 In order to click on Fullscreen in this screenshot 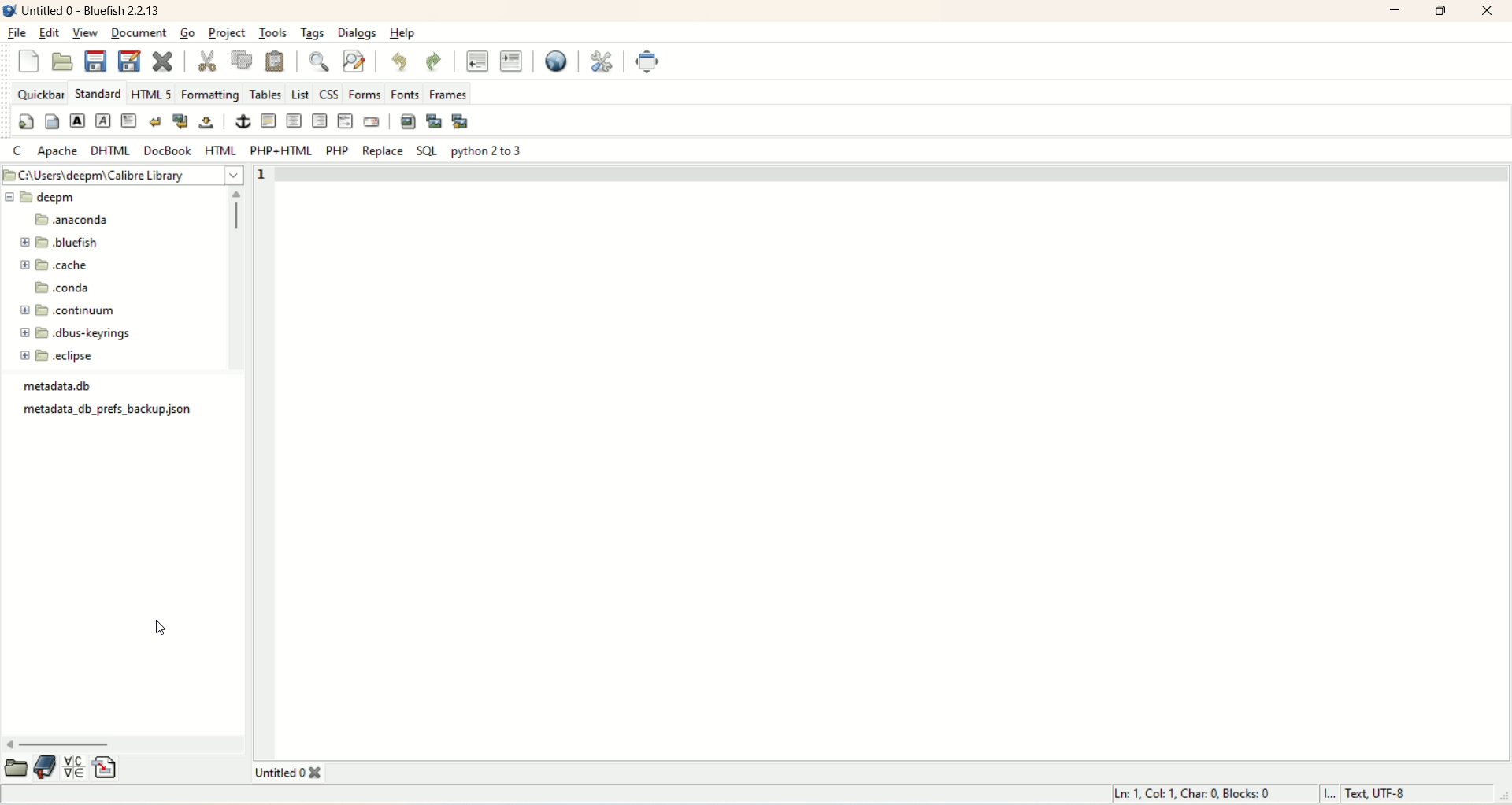, I will do `click(645, 61)`.